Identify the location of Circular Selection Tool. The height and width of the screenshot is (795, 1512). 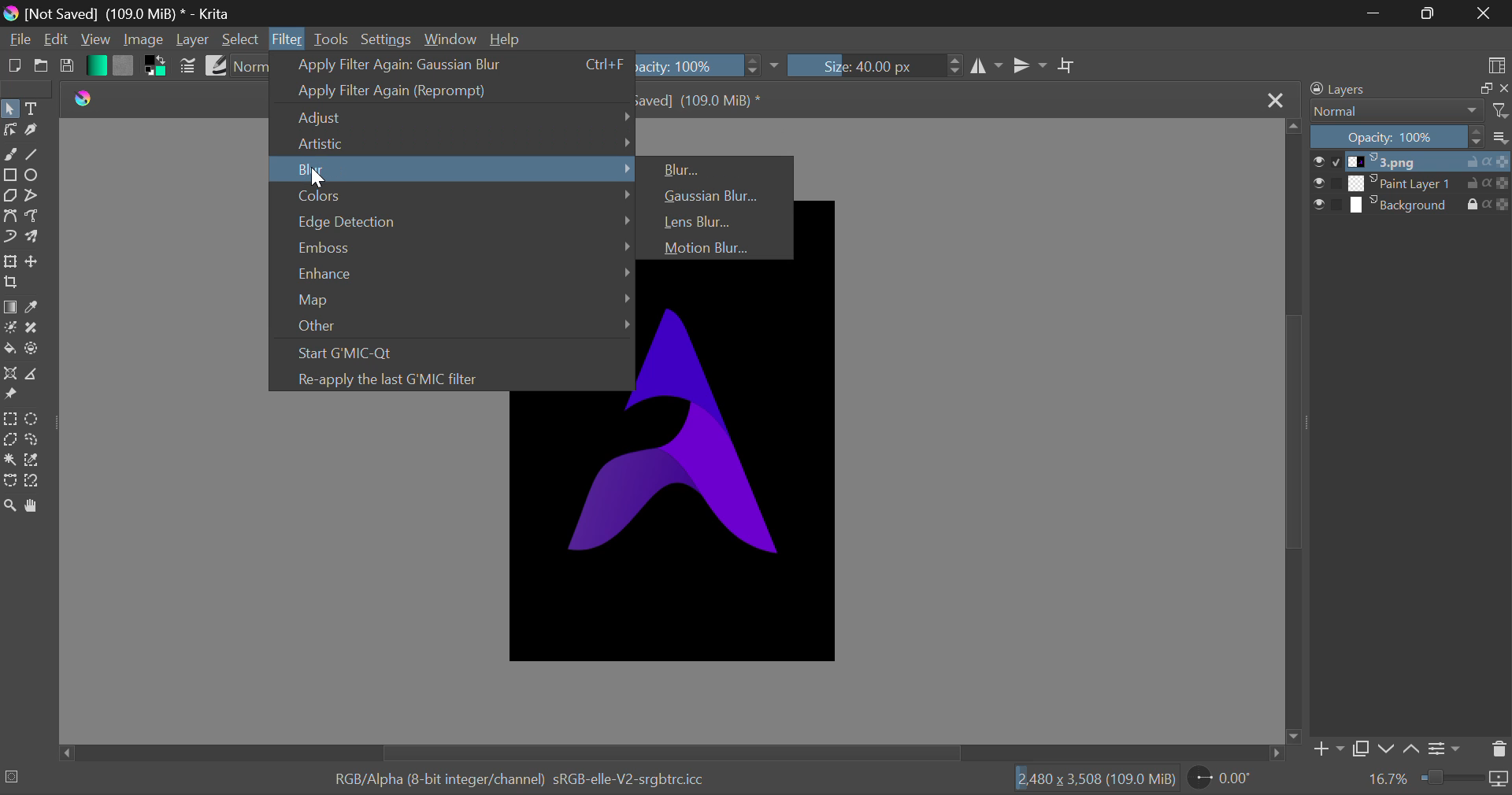
(35, 420).